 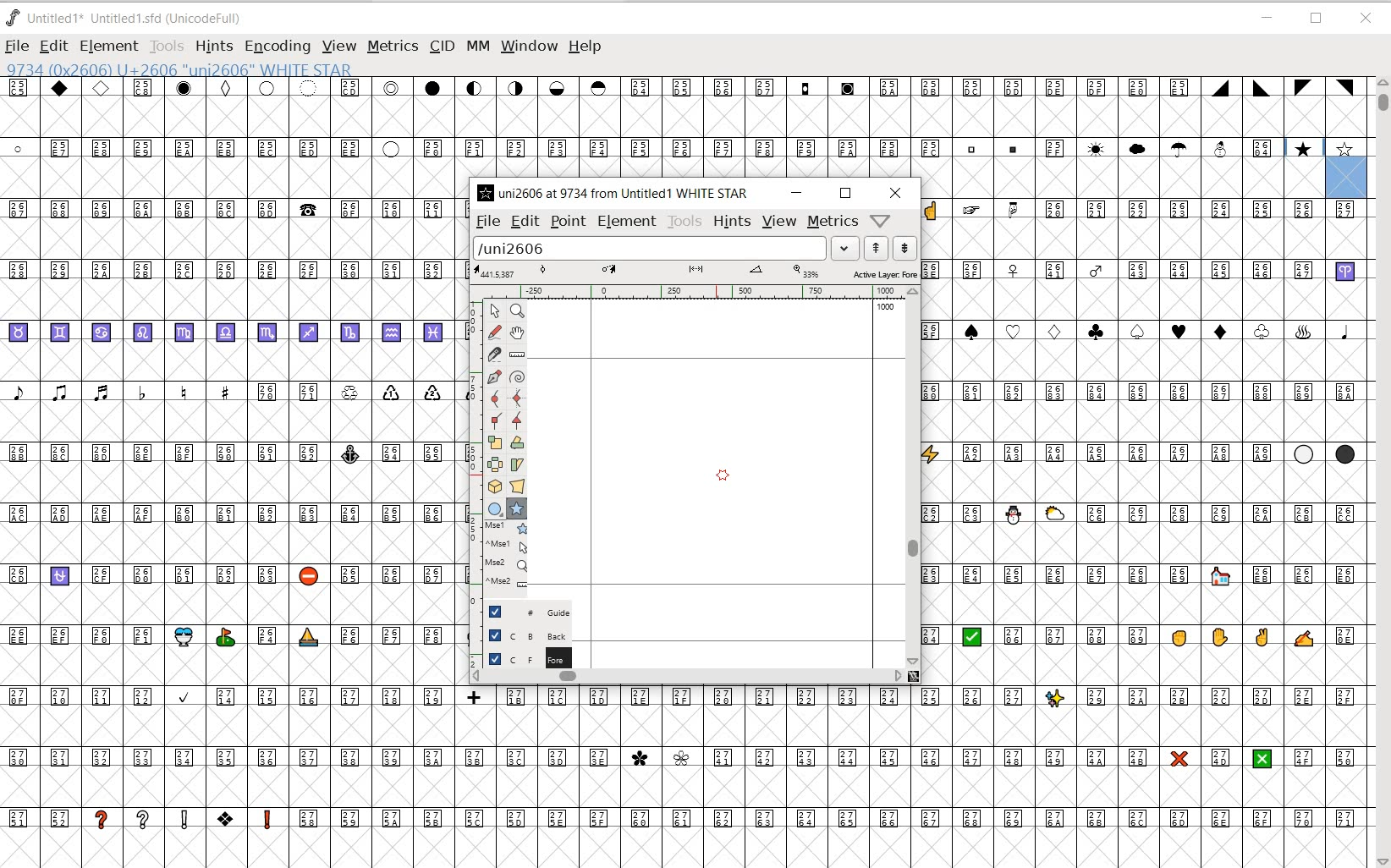 I want to click on SCROLLBAR, so click(x=1381, y=472).